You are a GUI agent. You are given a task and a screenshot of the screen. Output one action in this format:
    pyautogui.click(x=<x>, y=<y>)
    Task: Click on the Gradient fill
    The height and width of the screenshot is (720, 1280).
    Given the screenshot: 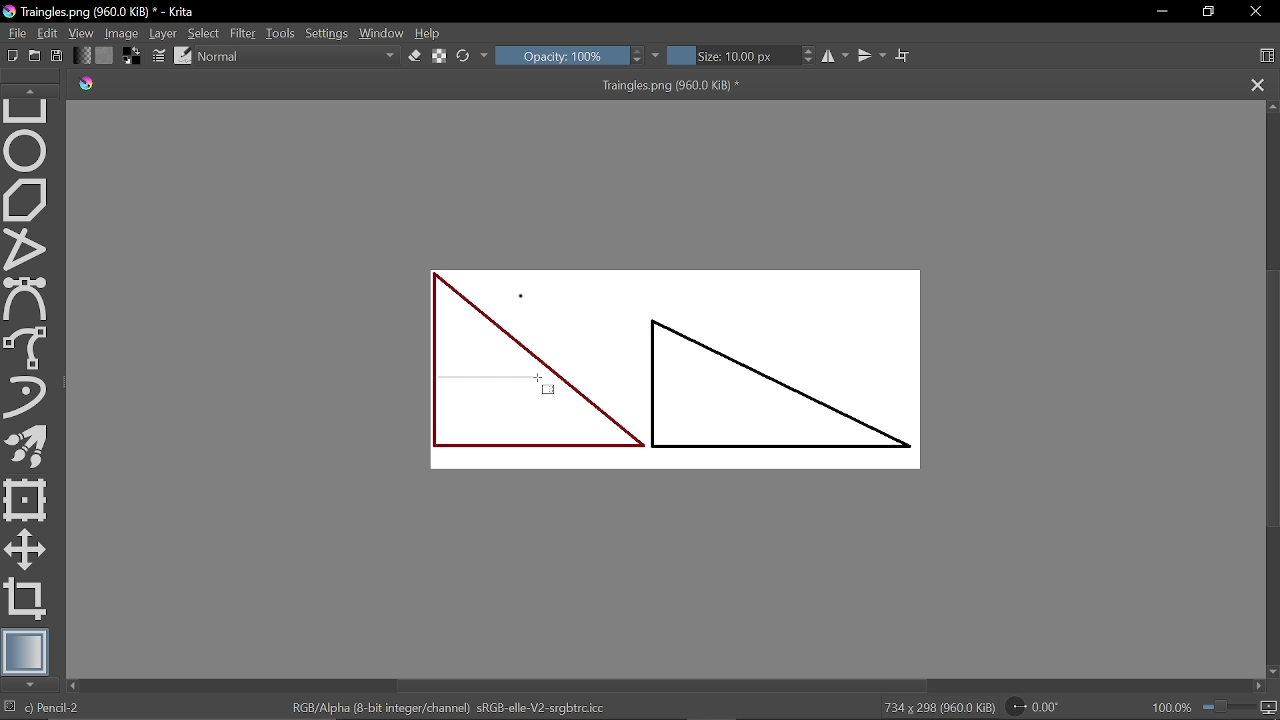 What is the action you would take?
    pyautogui.click(x=82, y=54)
    